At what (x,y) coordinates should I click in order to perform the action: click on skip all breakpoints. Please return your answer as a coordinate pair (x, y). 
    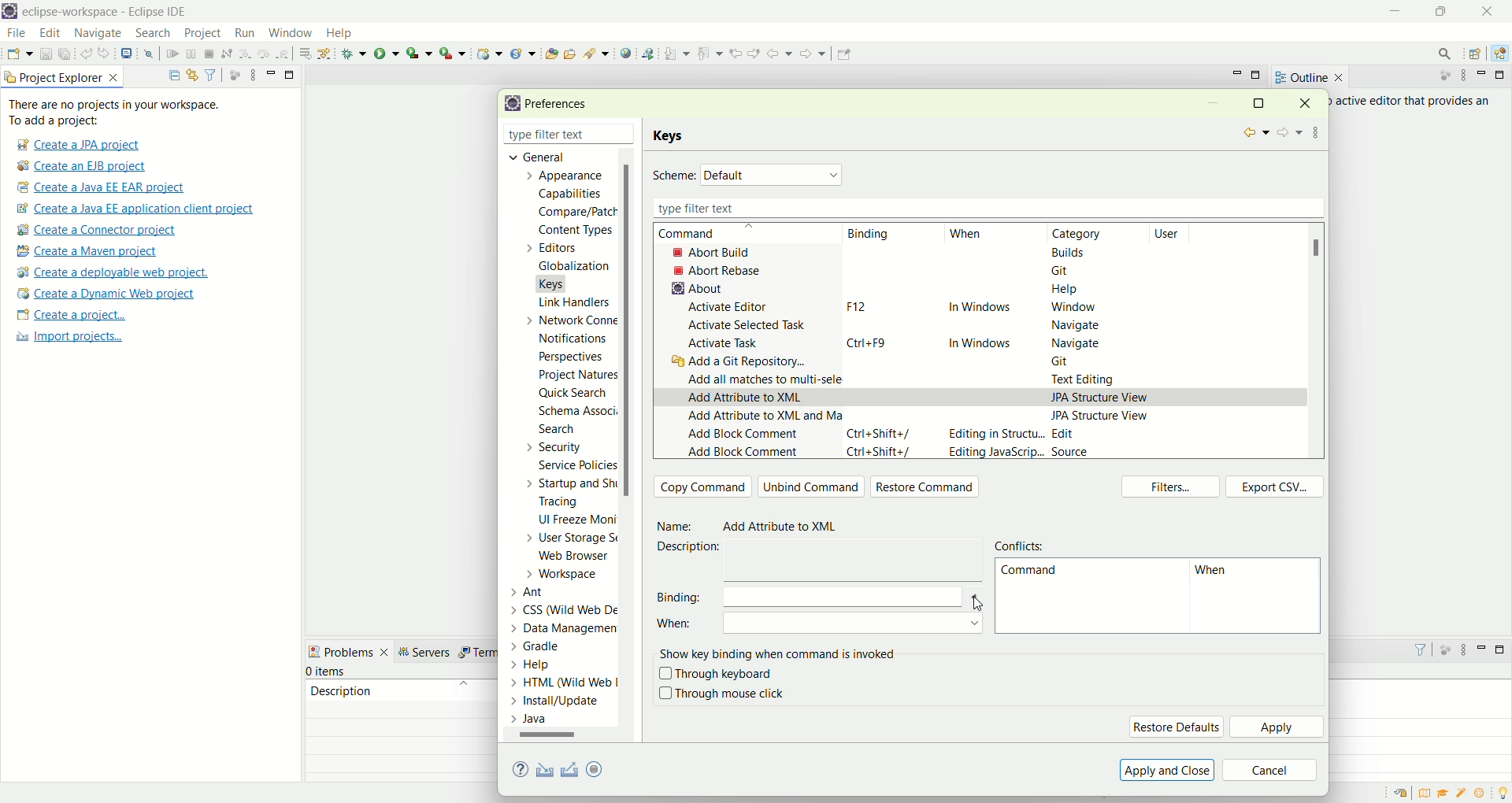
    Looking at the image, I should click on (151, 54).